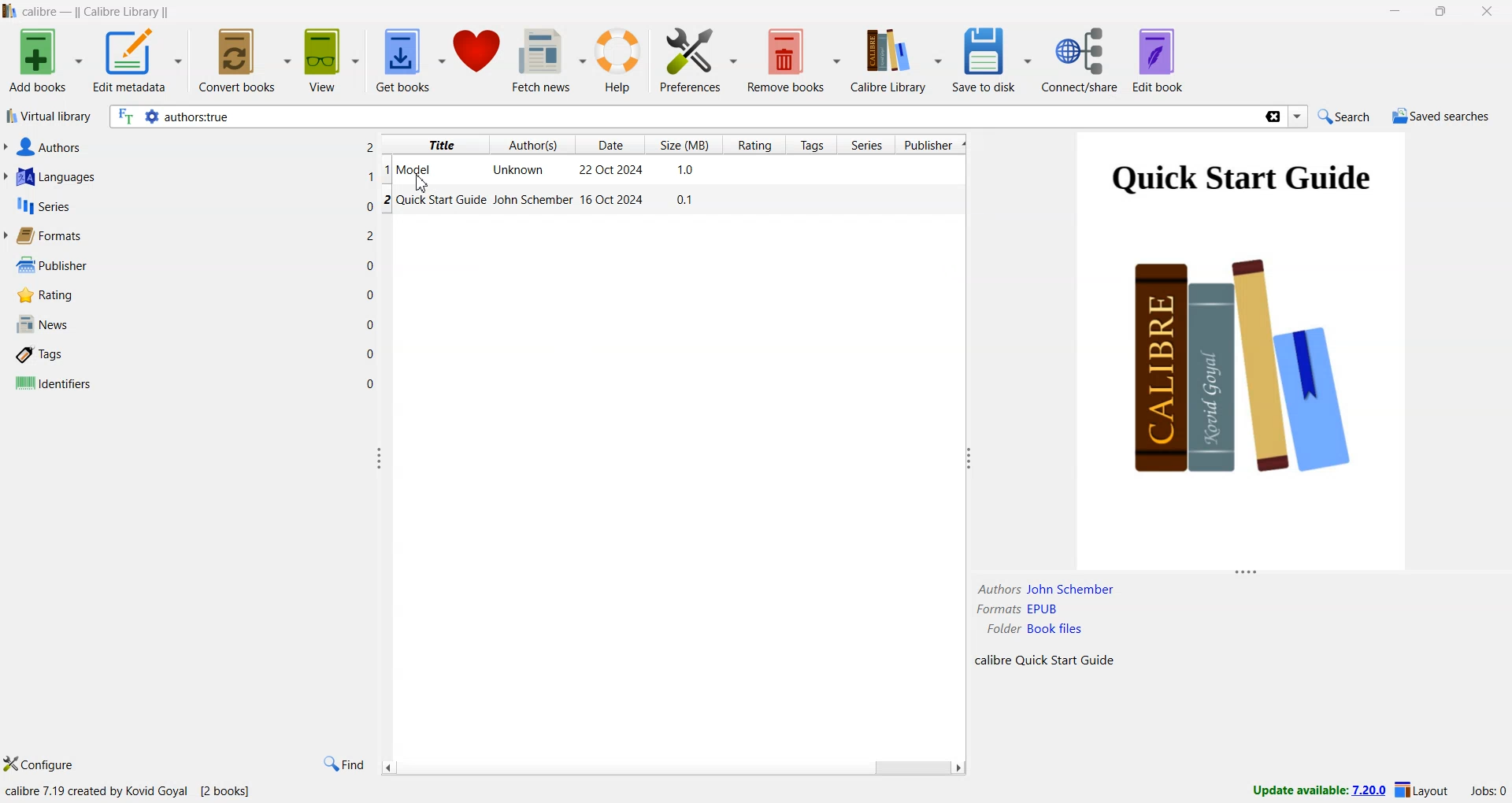 The height and width of the screenshot is (803, 1512). What do you see at coordinates (98, 792) in the screenshot?
I see `calibre 7.19 created by kovid goyal` at bounding box center [98, 792].